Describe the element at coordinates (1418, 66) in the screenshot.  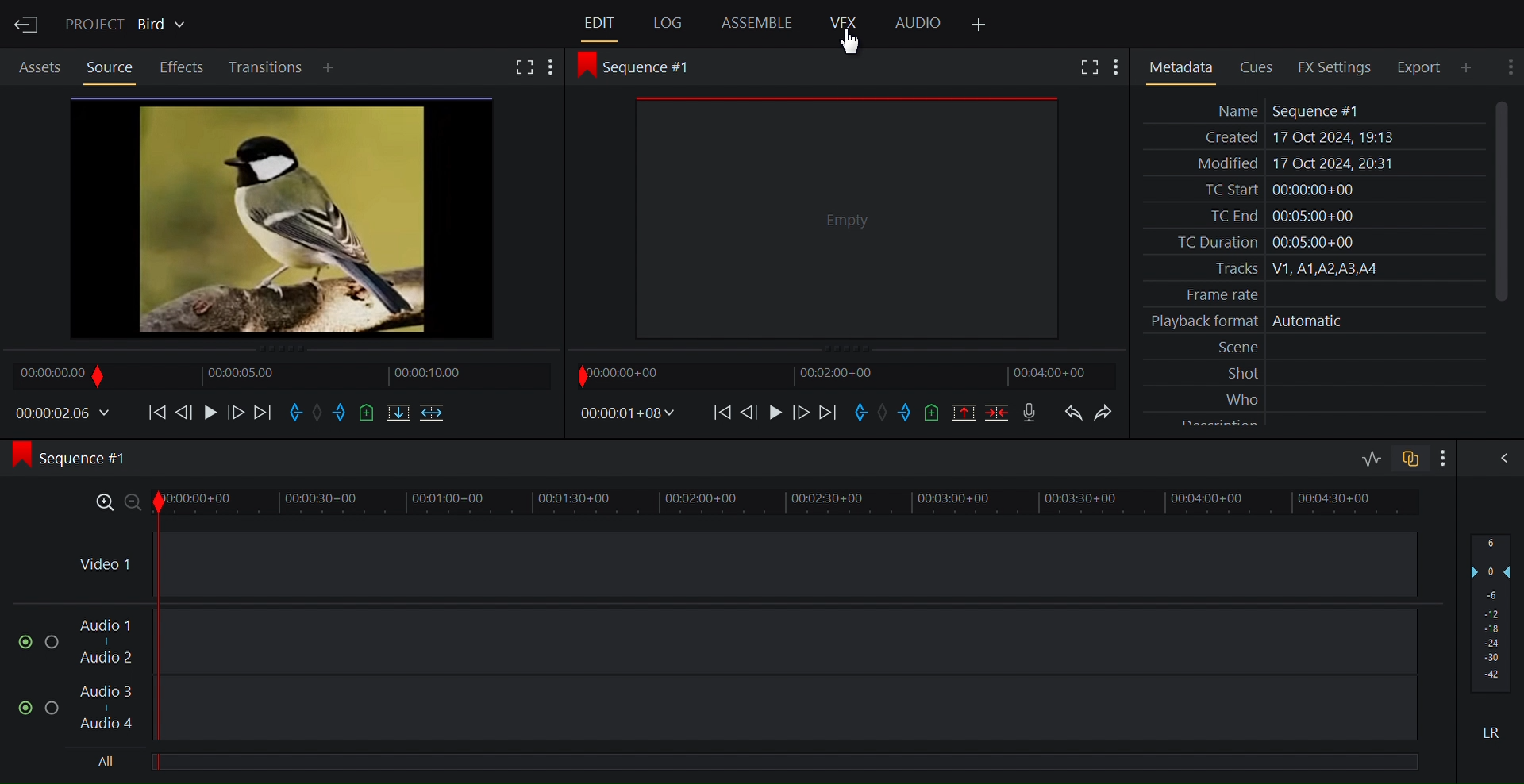
I see `Export` at that location.